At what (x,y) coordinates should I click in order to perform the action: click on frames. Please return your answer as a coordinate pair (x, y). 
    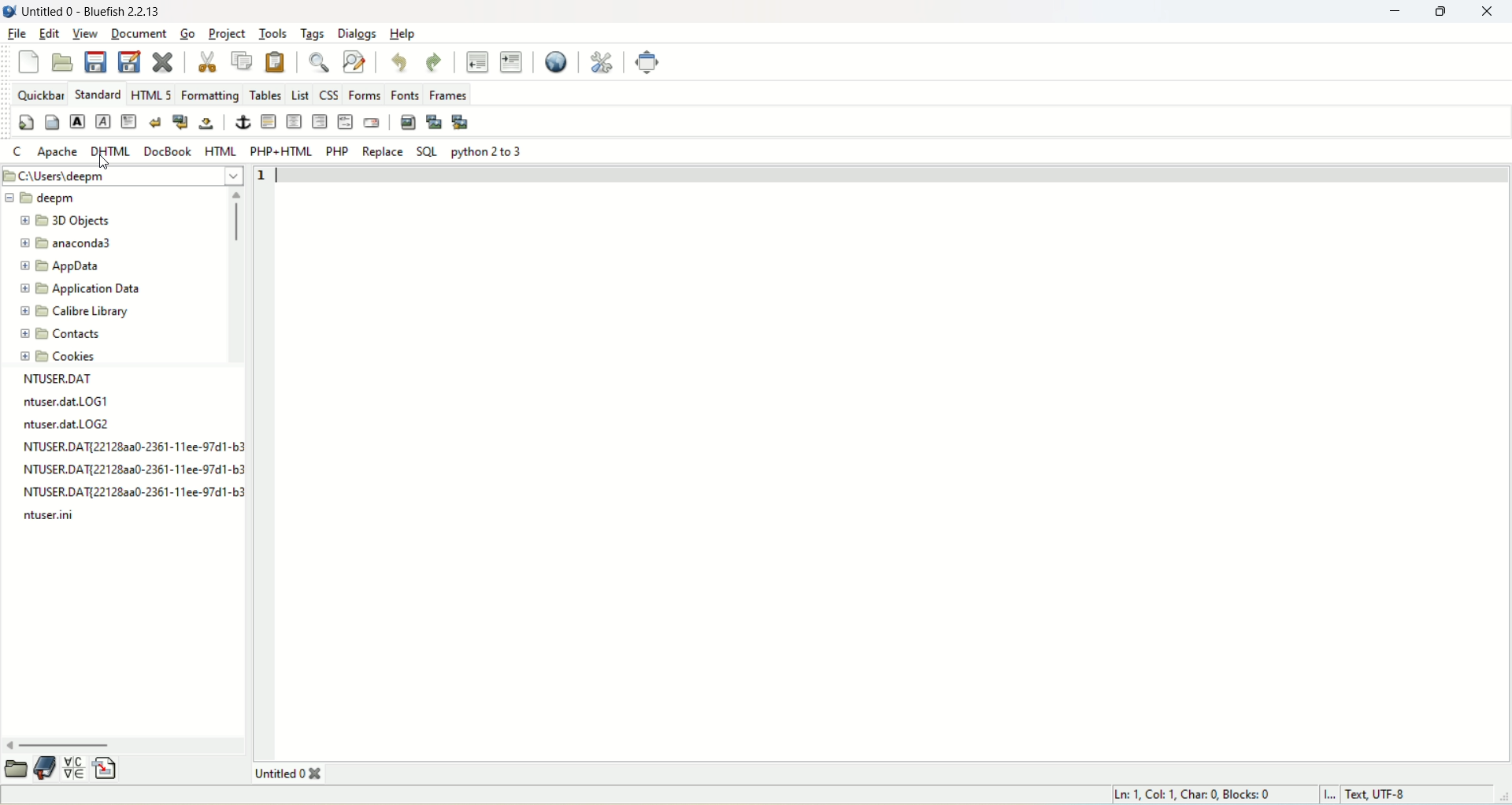
    Looking at the image, I should click on (450, 95).